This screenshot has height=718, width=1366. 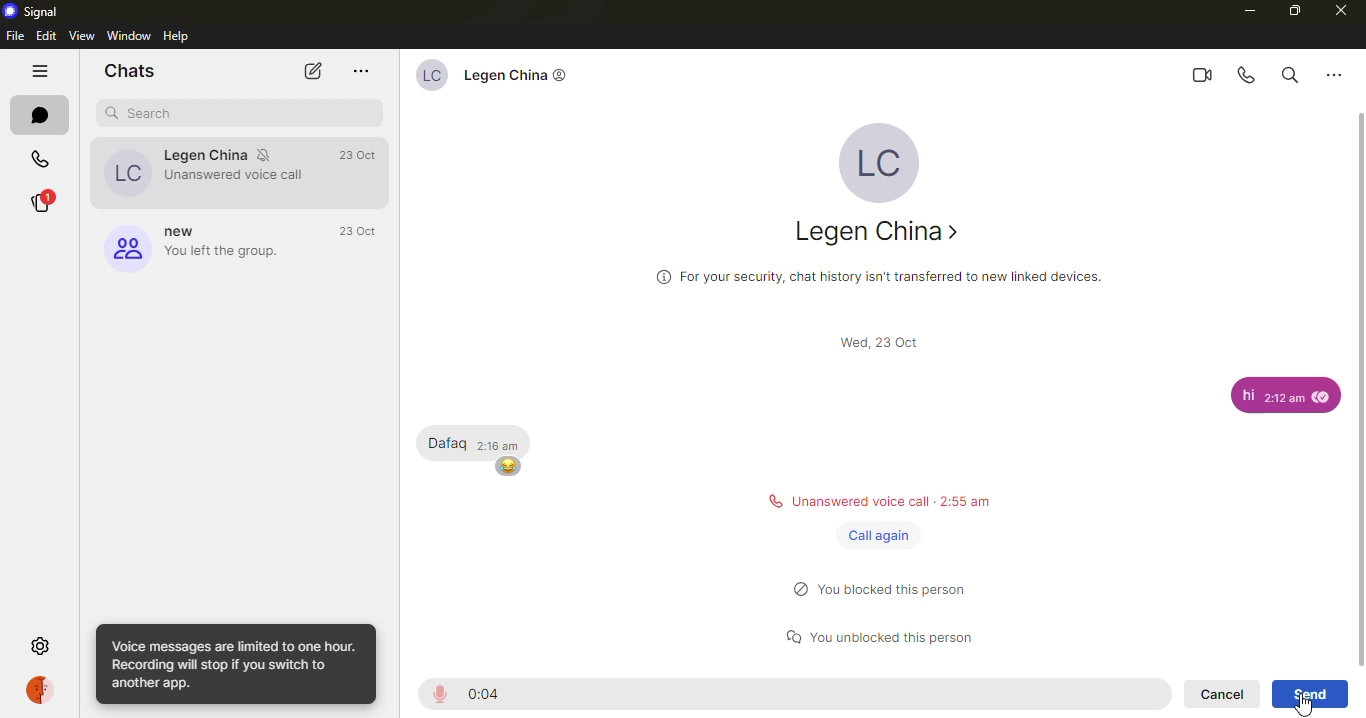 What do you see at coordinates (185, 231) in the screenshot?
I see `new` at bounding box center [185, 231].